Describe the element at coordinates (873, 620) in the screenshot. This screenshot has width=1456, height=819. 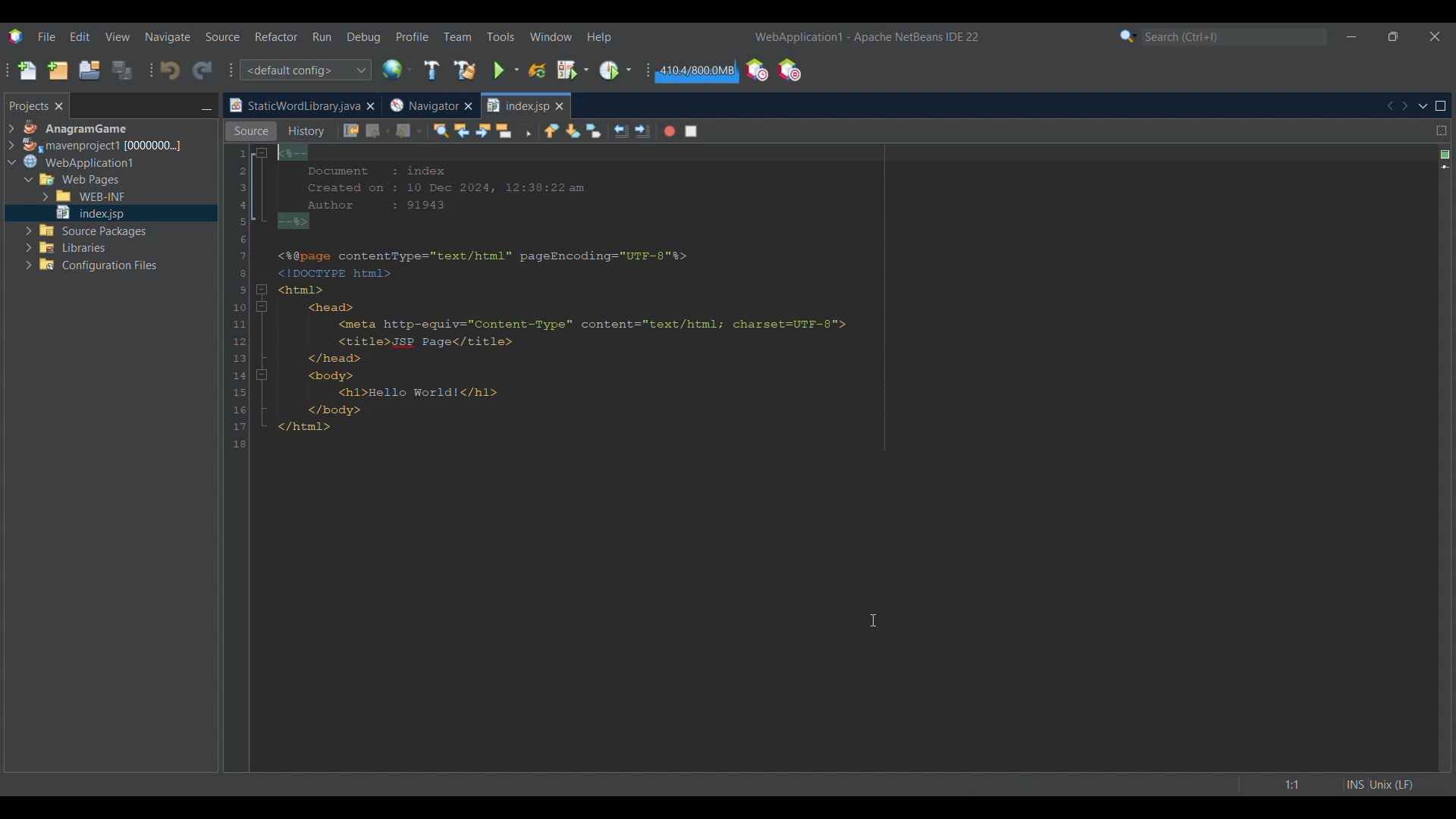
I see `Cursor` at that location.